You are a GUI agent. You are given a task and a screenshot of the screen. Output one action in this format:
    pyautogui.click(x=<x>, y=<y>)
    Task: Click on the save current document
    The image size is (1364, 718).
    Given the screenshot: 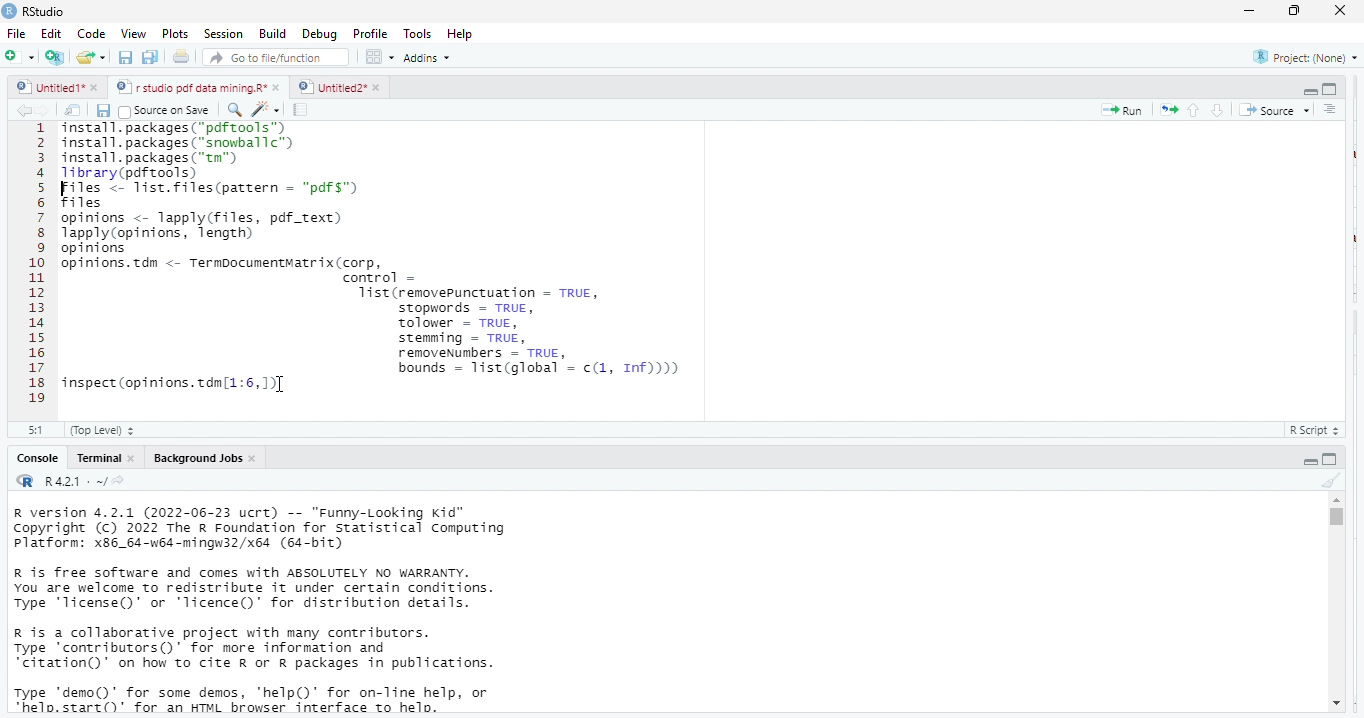 What is the action you would take?
    pyautogui.click(x=126, y=58)
    